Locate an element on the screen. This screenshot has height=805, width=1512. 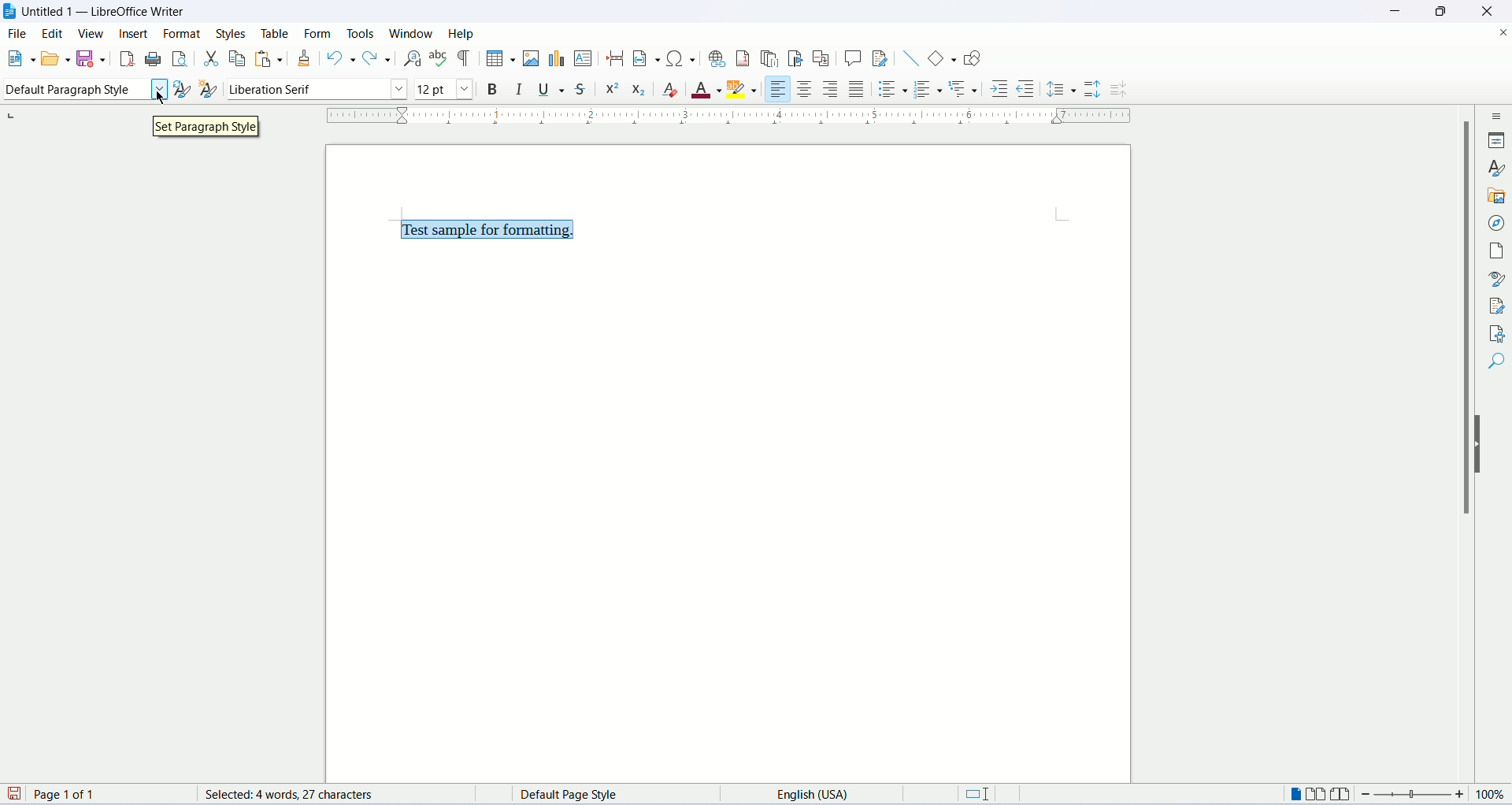
window is located at coordinates (412, 33).